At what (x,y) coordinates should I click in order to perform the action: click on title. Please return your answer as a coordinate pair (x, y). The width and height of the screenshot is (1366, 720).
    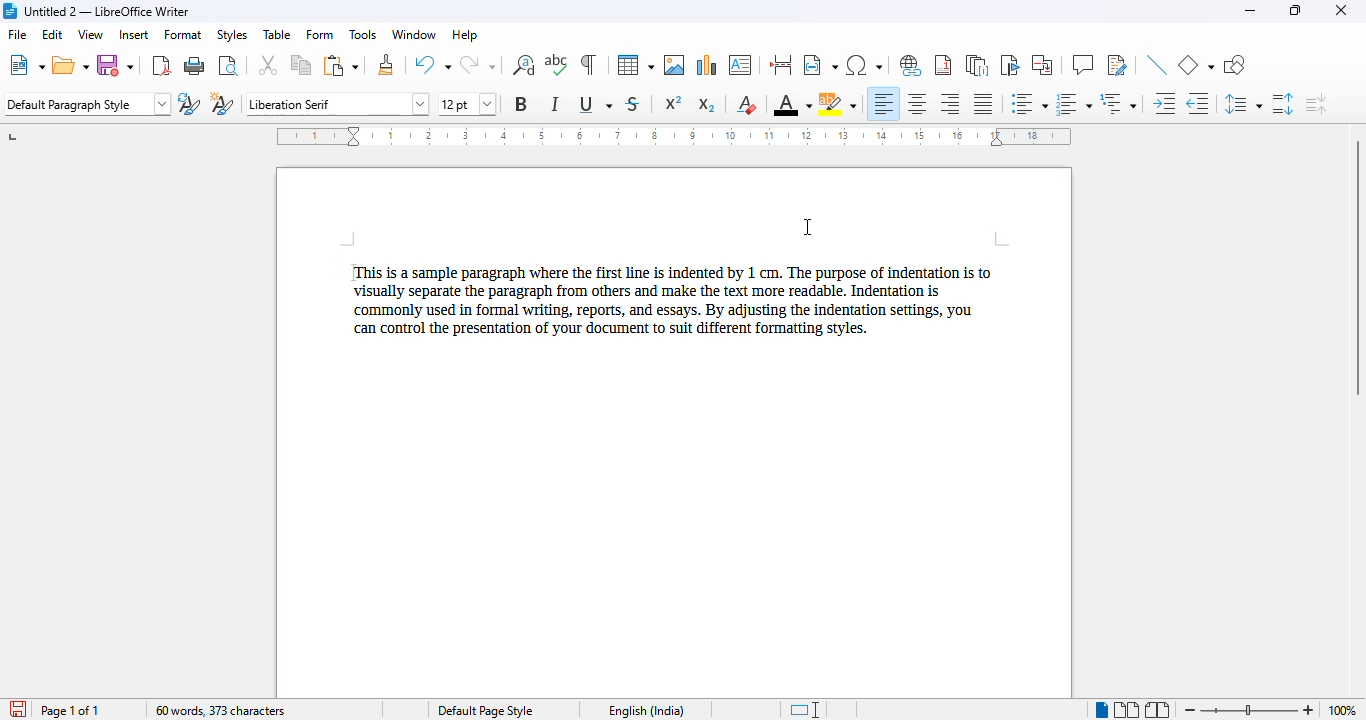
    Looking at the image, I should click on (107, 11).